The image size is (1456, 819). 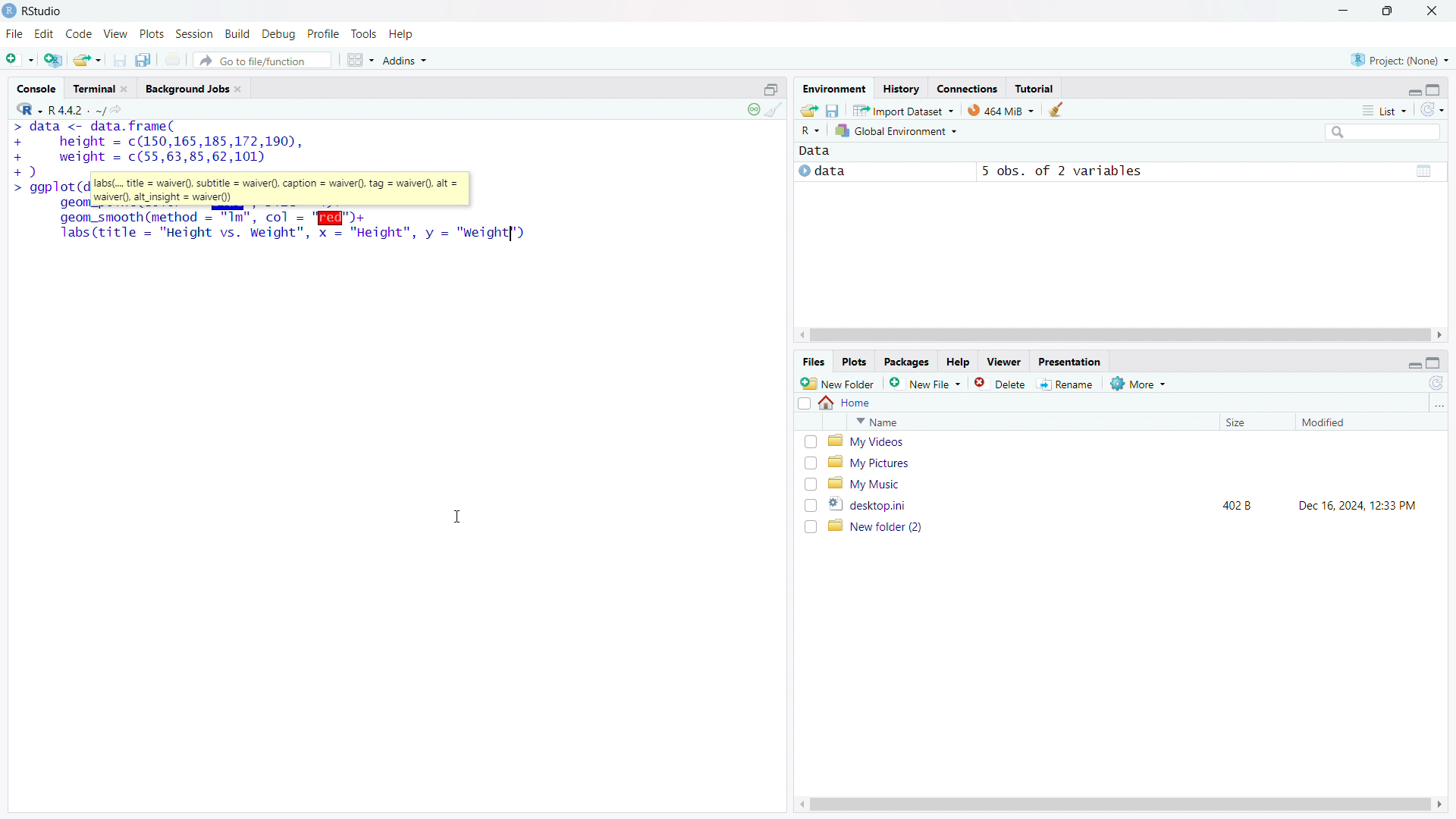 What do you see at coordinates (967, 88) in the screenshot?
I see `connections` at bounding box center [967, 88].